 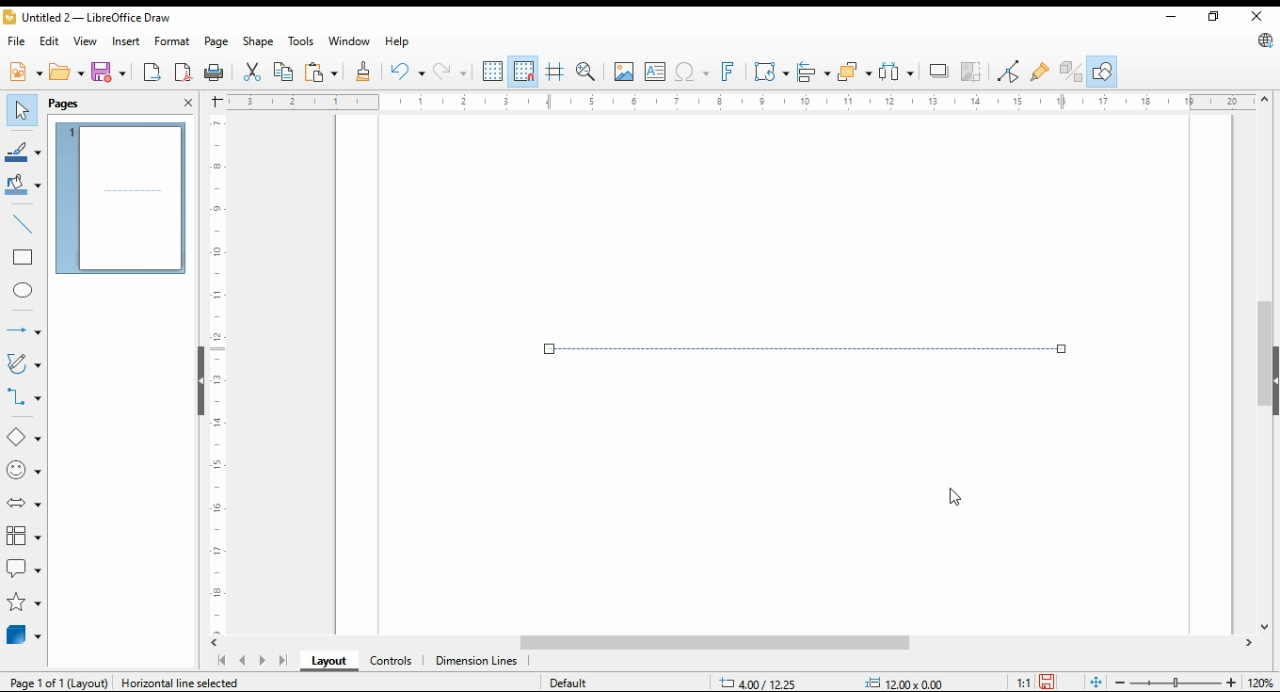 I want to click on insert fontwork text, so click(x=726, y=72).